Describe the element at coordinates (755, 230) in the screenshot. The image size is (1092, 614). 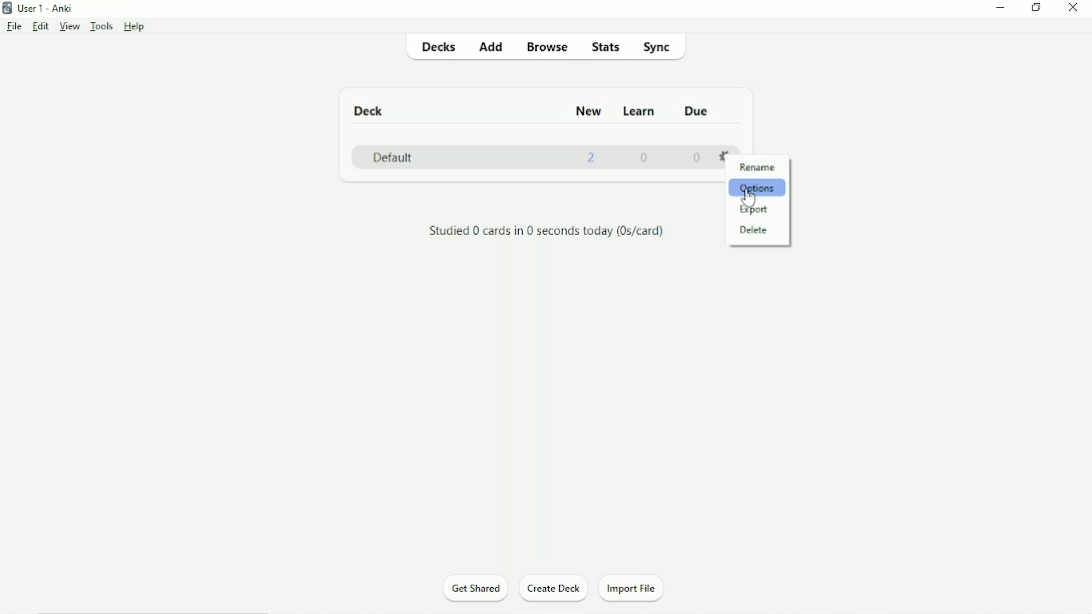
I see `Delete` at that location.